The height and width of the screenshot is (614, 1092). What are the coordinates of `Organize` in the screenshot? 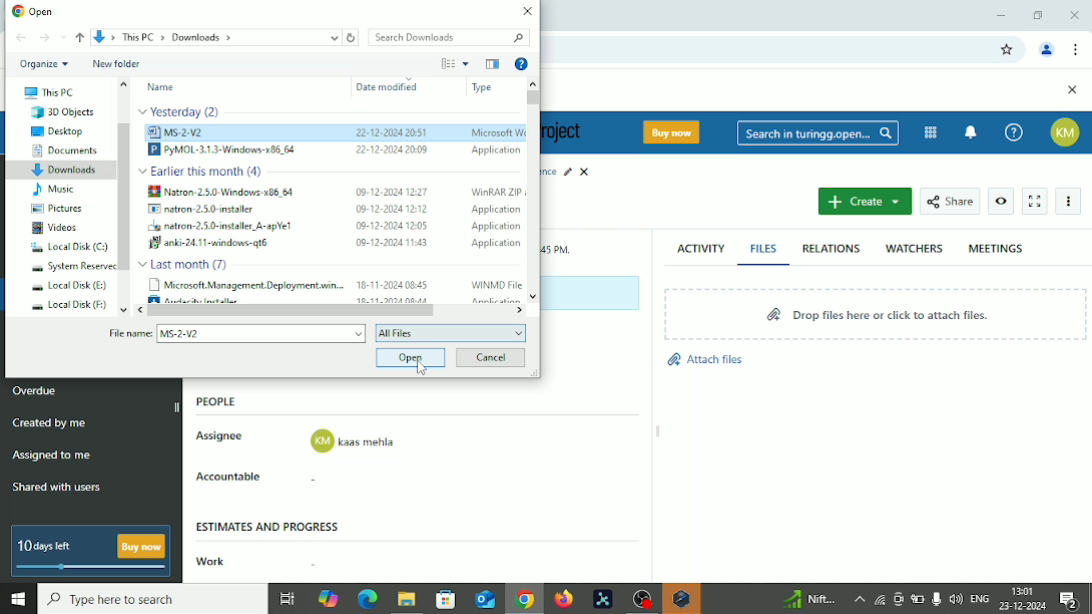 It's located at (44, 63).